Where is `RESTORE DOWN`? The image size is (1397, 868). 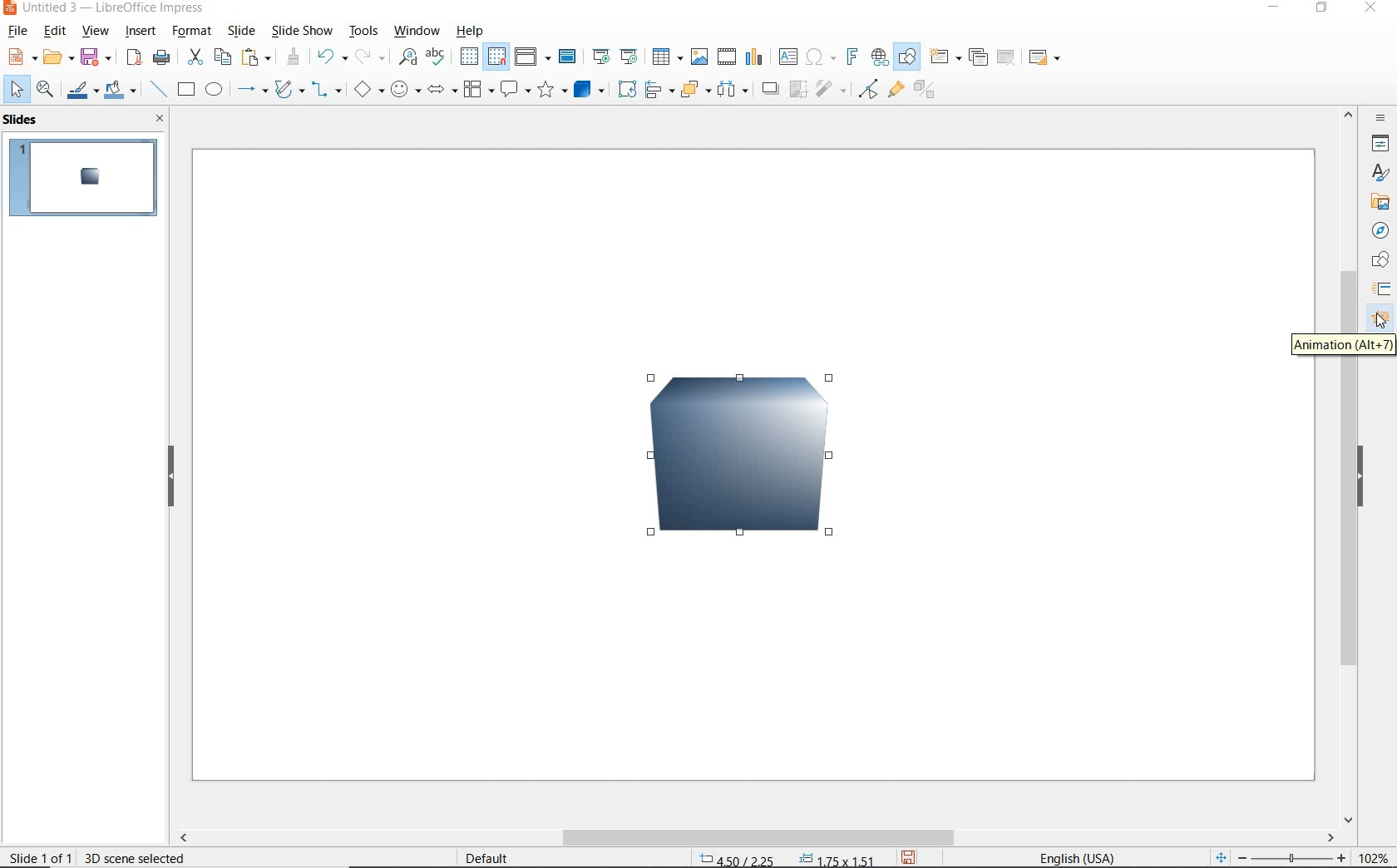
RESTORE DOWN is located at coordinates (1323, 11).